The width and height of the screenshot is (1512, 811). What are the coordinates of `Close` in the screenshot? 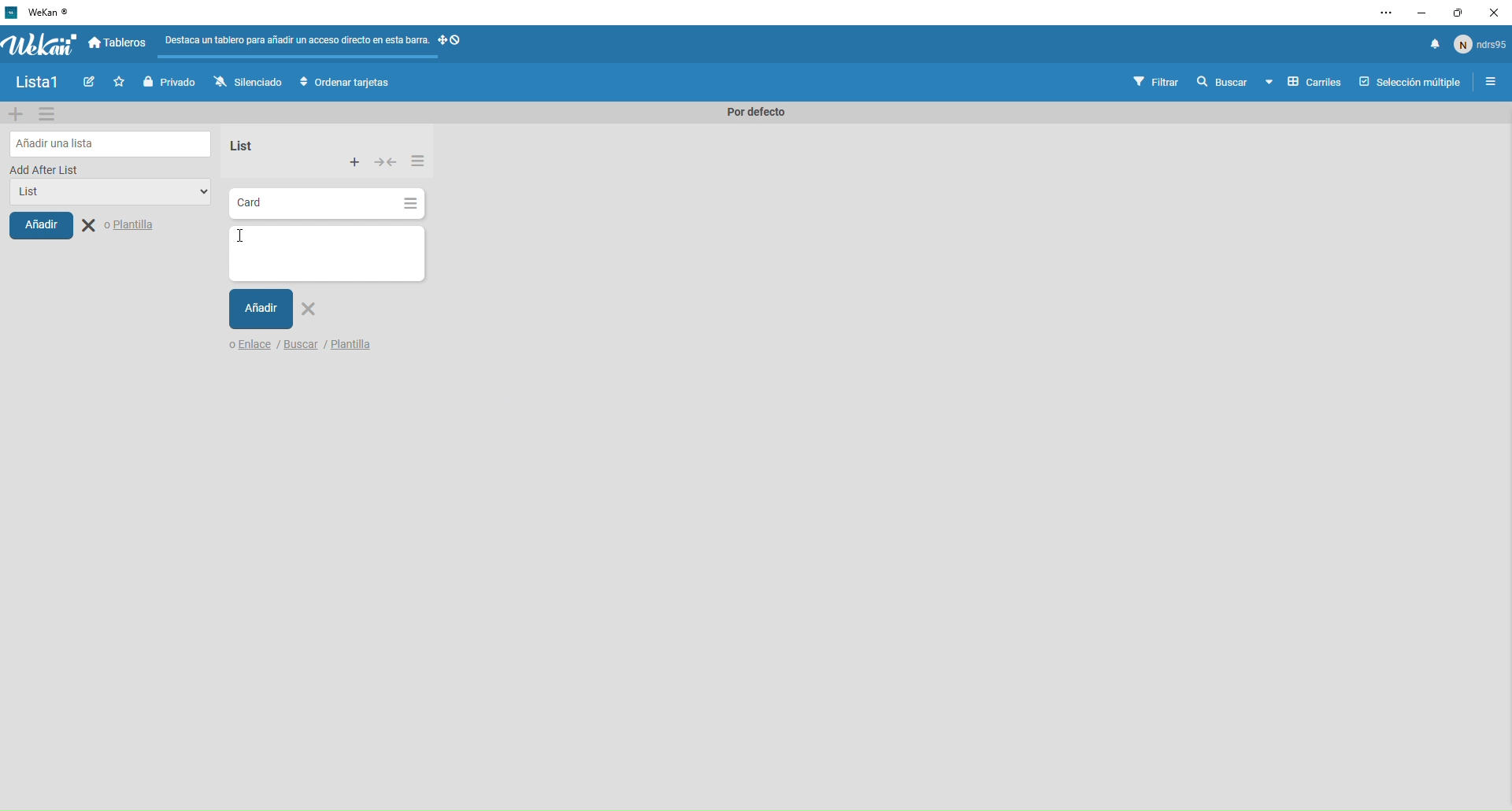 It's located at (121, 226).